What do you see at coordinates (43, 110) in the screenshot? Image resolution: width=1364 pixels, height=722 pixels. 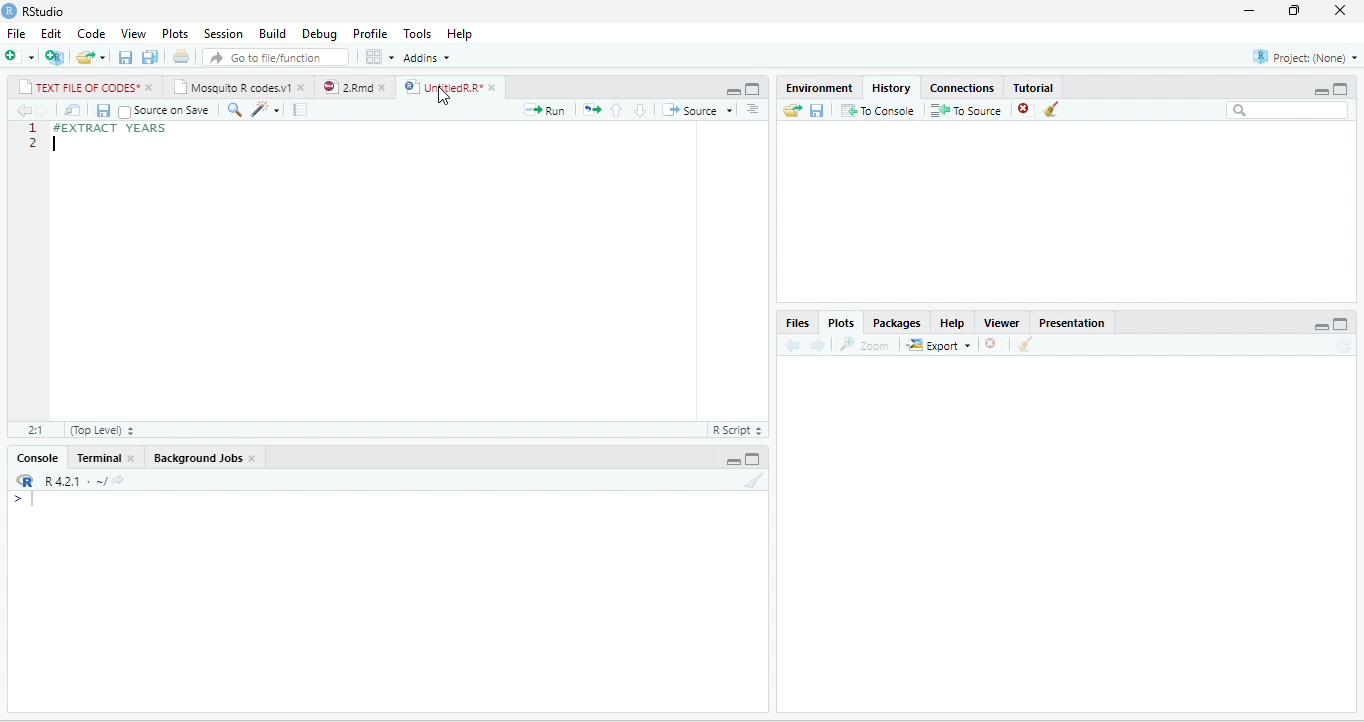 I see `forward` at bounding box center [43, 110].